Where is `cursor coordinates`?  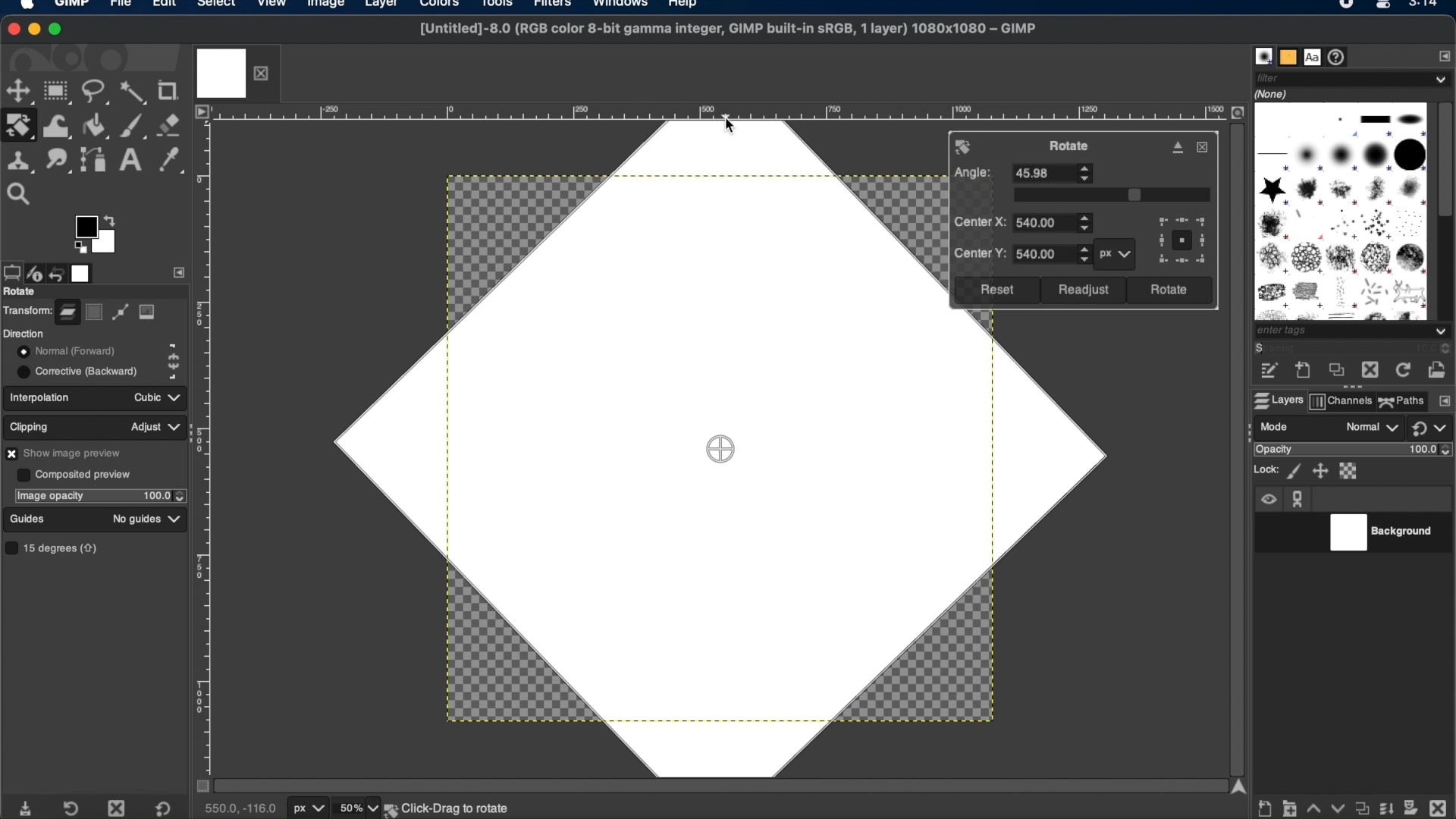 cursor coordinates is located at coordinates (242, 808).